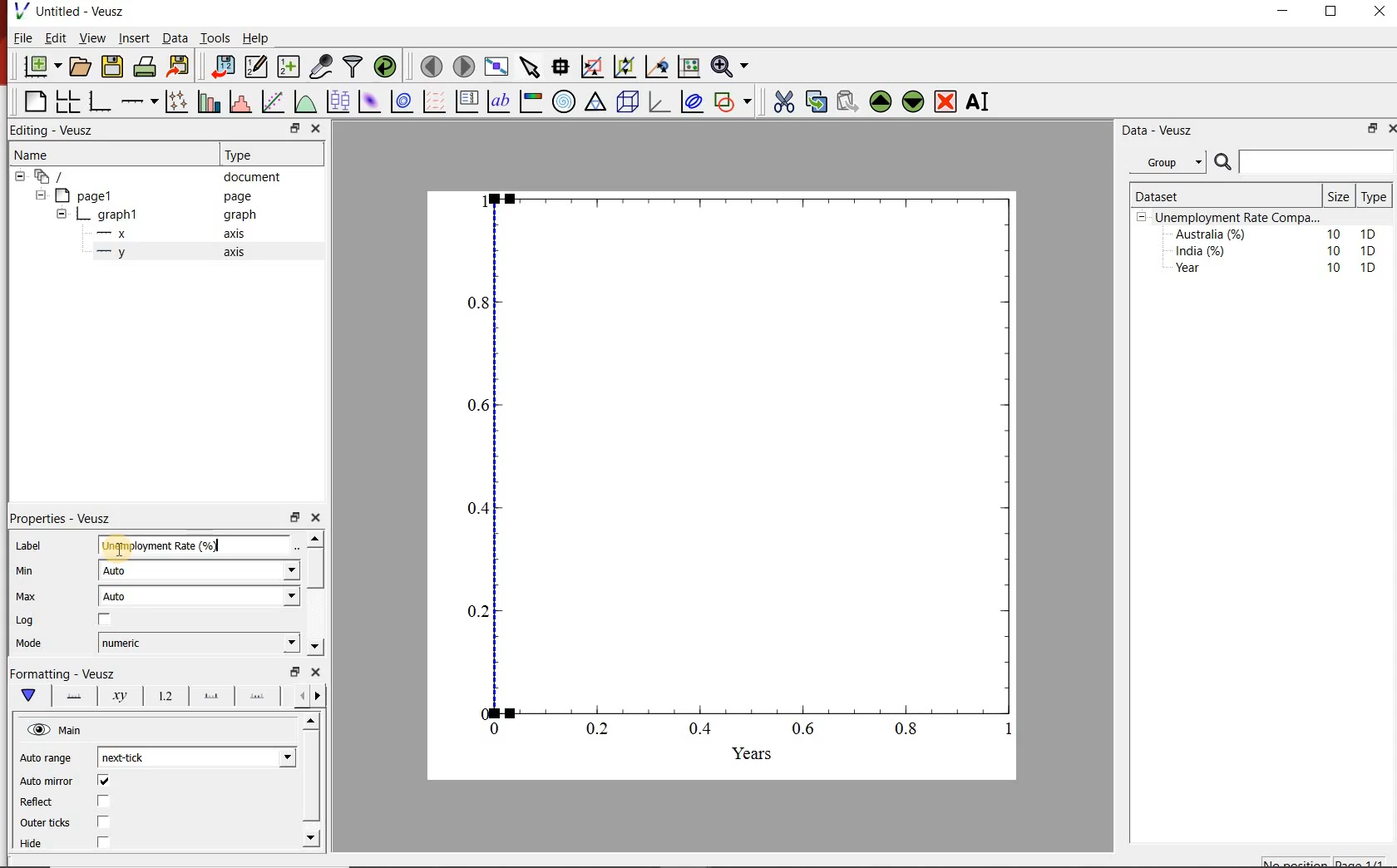 This screenshot has height=868, width=1397. What do you see at coordinates (305, 101) in the screenshot?
I see `plot a function` at bounding box center [305, 101].